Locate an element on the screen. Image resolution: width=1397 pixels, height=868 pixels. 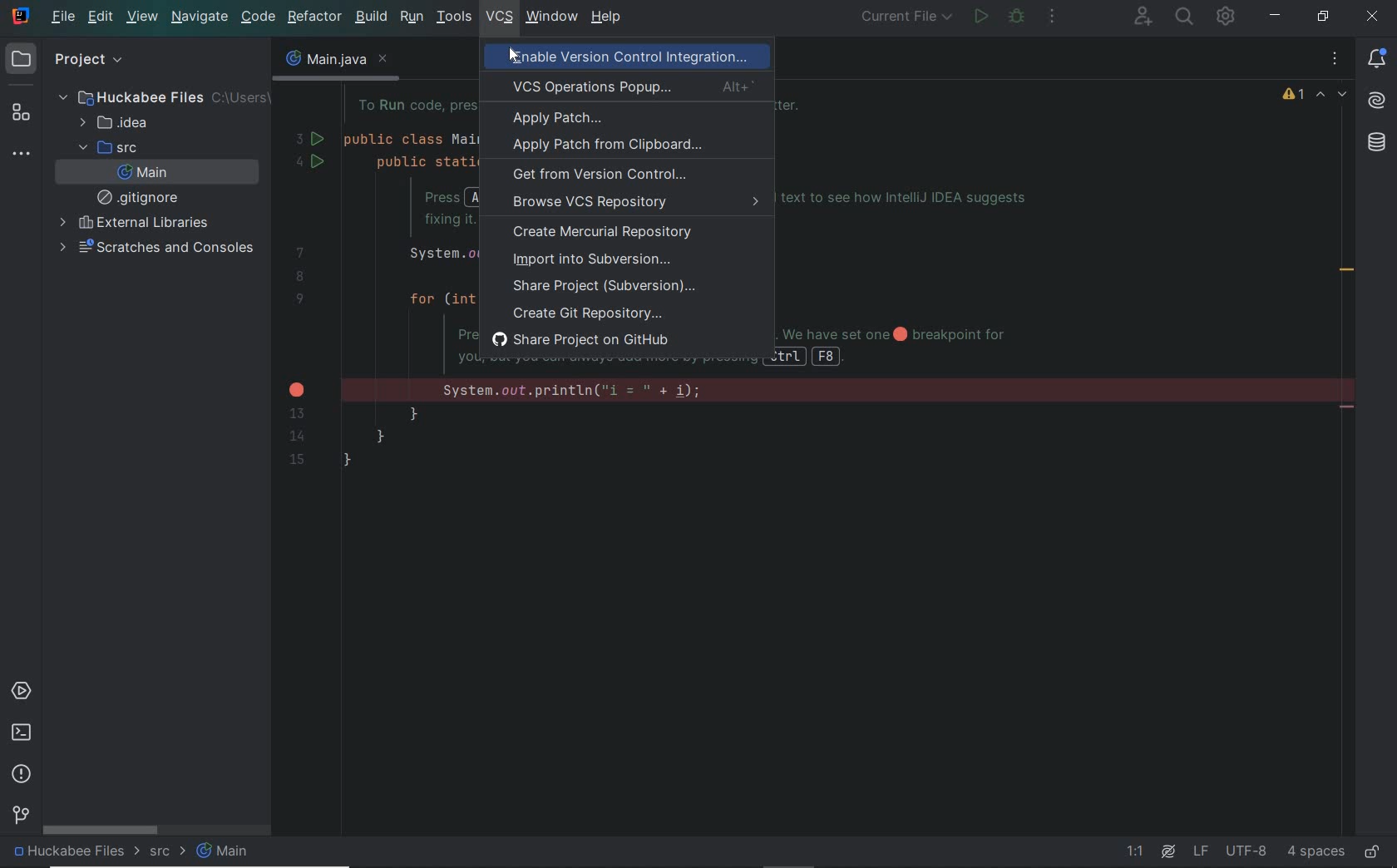
database is located at coordinates (1376, 144).